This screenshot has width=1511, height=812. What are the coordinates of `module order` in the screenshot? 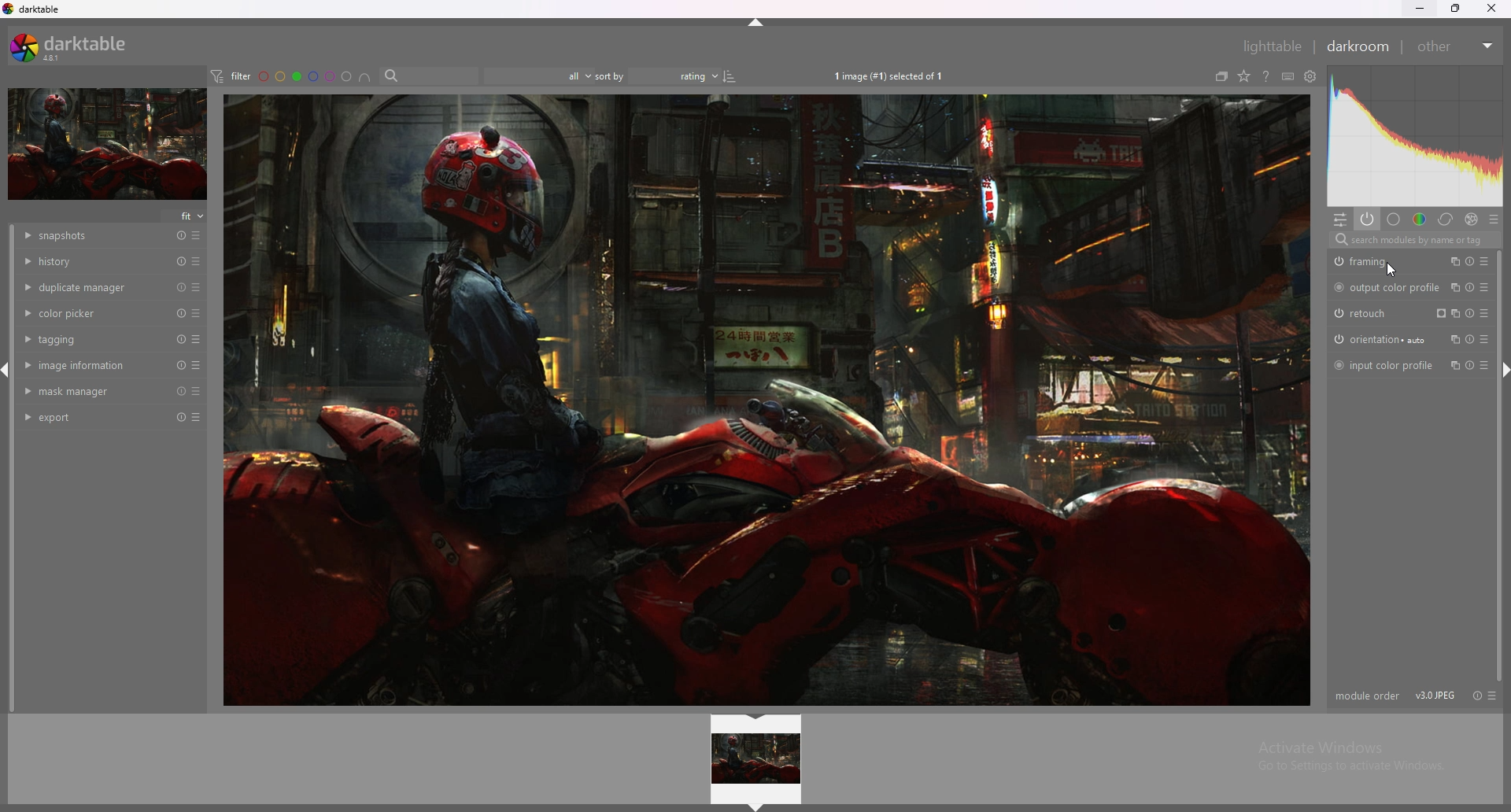 It's located at (1367, 696).